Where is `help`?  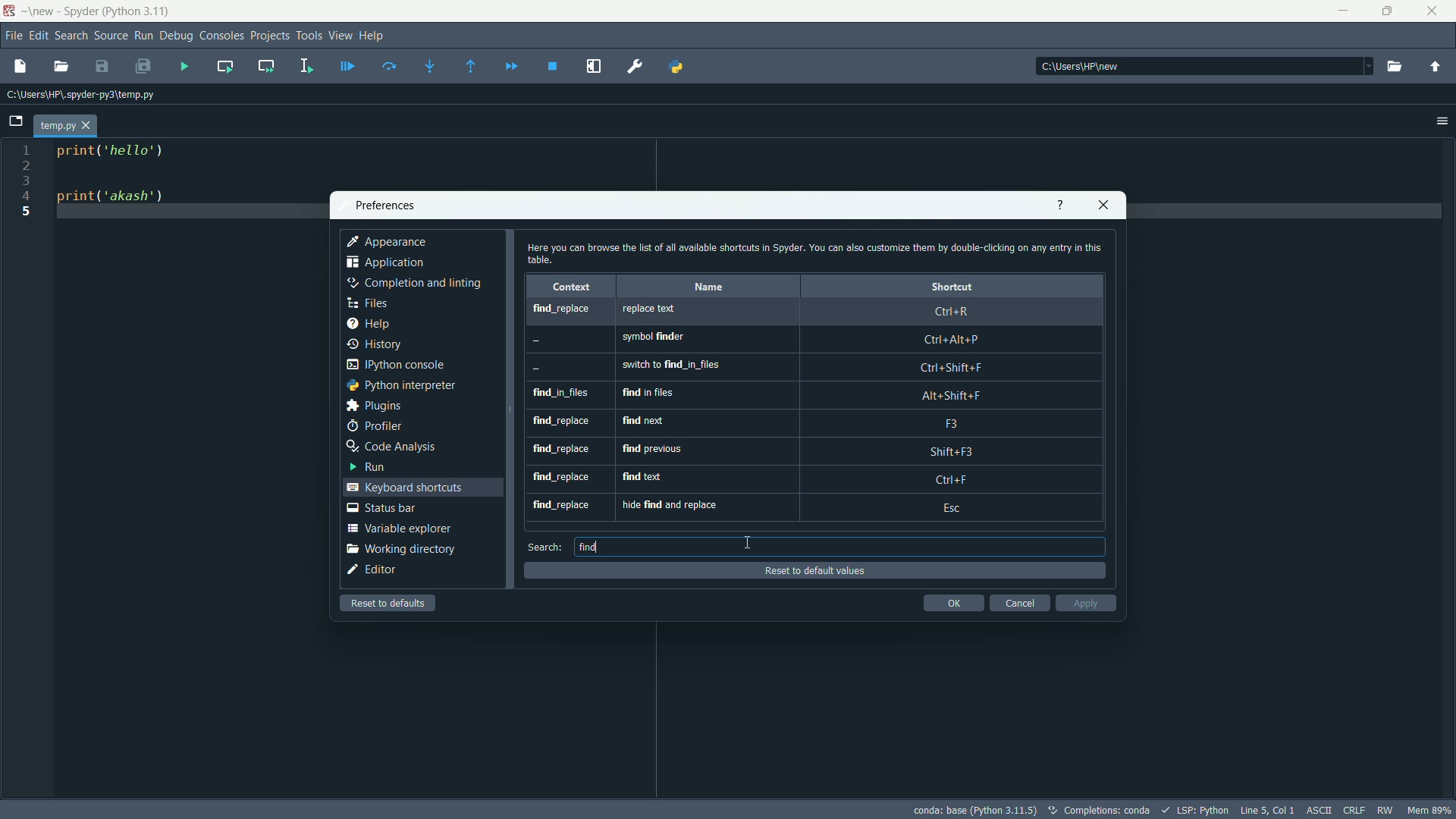 help is located at coordinates (1059, 206).